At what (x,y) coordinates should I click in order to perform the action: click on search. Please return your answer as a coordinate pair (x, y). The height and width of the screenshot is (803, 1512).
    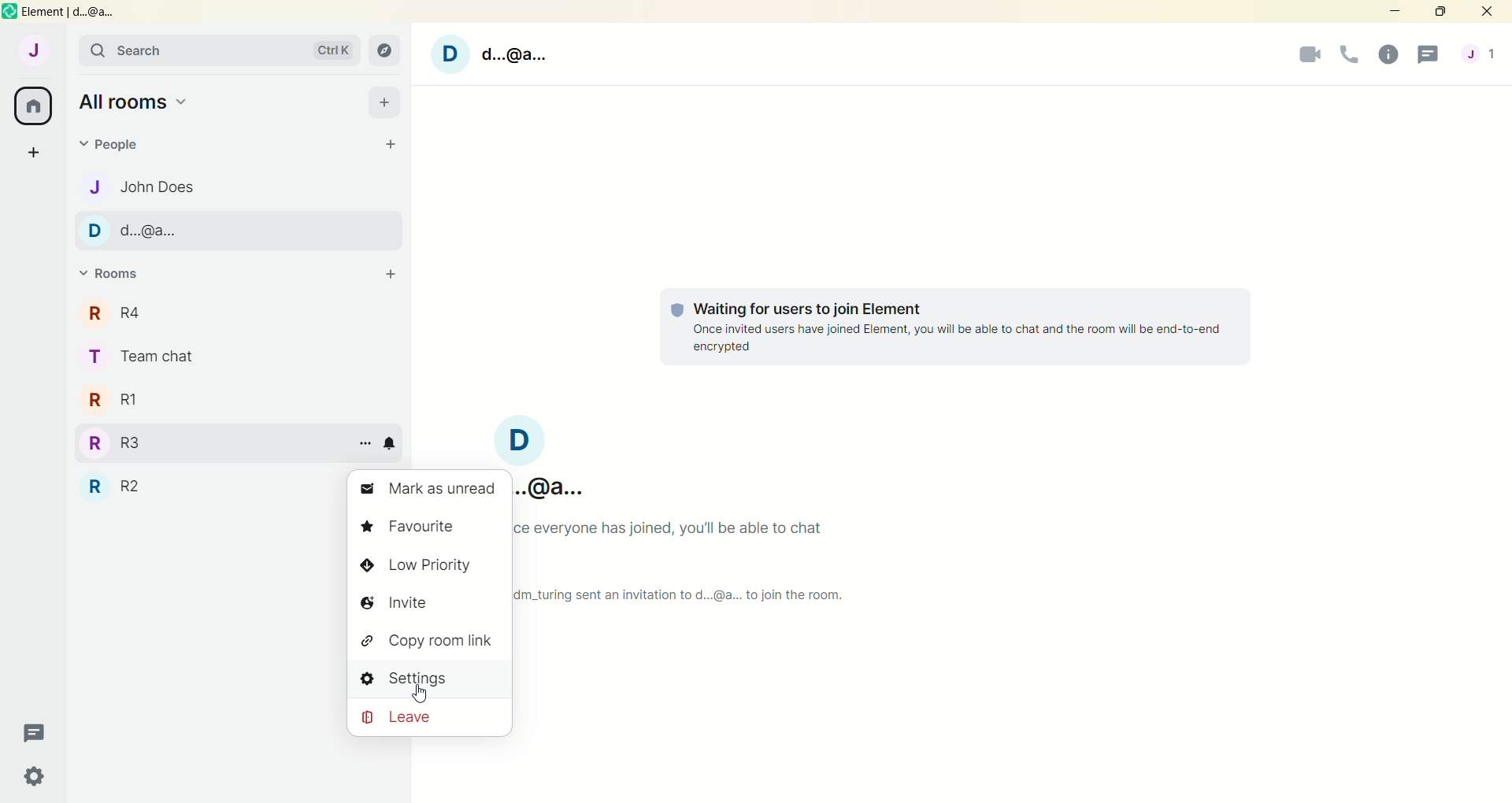
    Looking at the image, I should click on (219, 51).